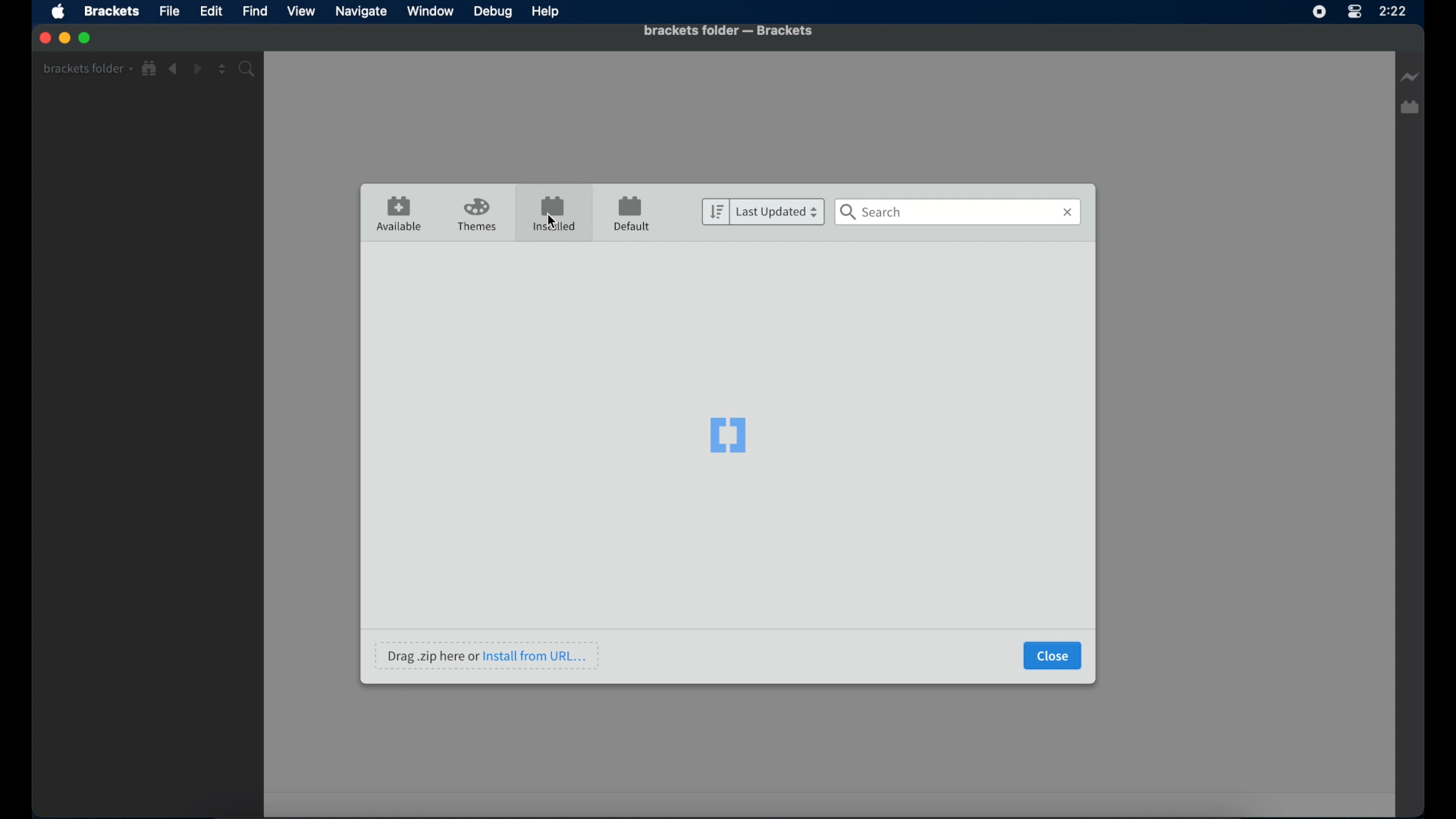 Image resolution: width=1456 pixels, height=819 pixels. I want to click on edit, so click(211, 11).